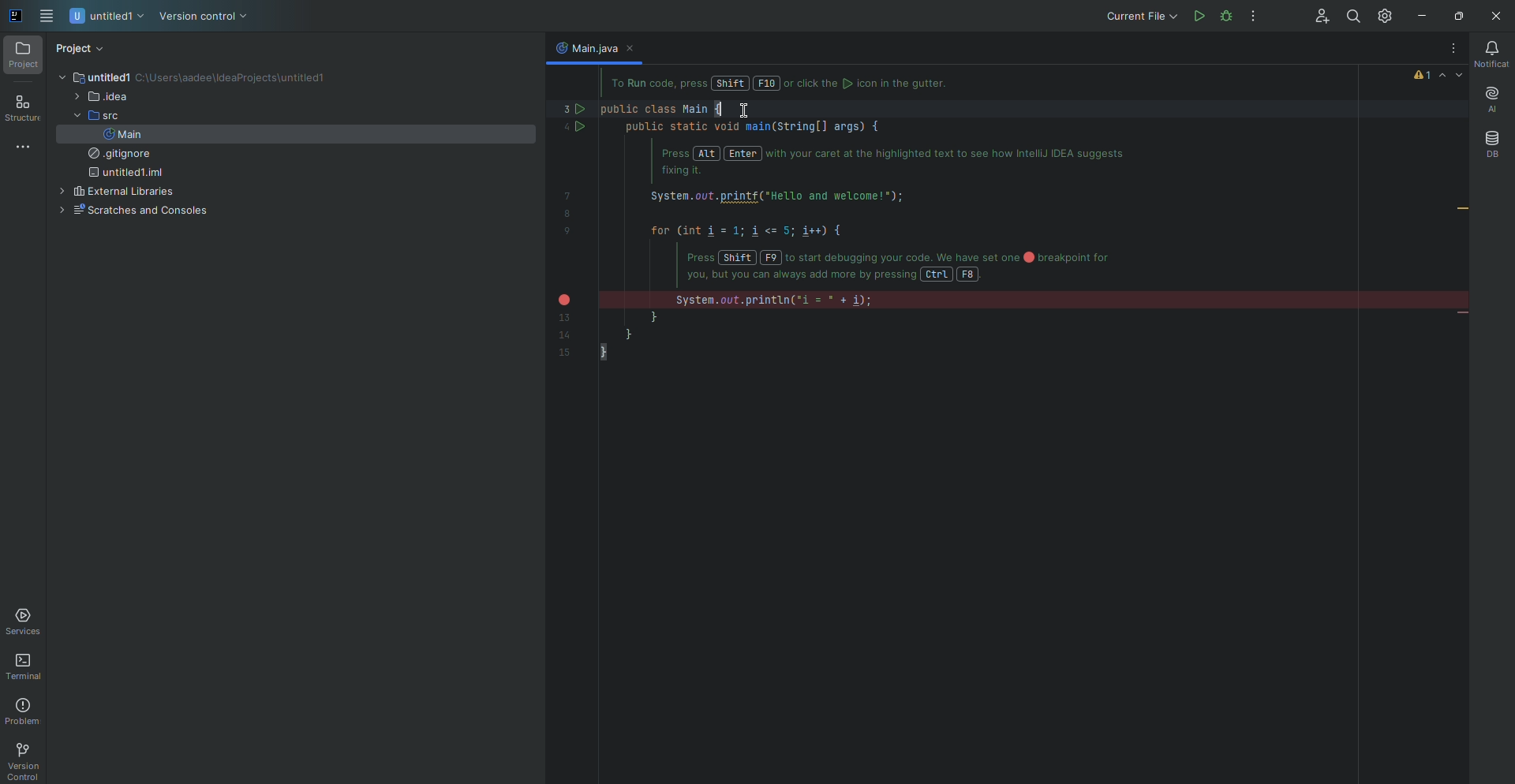 The height and width of the screenshot is (784, 1515). Describe the element at coordinates (1352, 17) in the screenshot. I see `Find` at that location.